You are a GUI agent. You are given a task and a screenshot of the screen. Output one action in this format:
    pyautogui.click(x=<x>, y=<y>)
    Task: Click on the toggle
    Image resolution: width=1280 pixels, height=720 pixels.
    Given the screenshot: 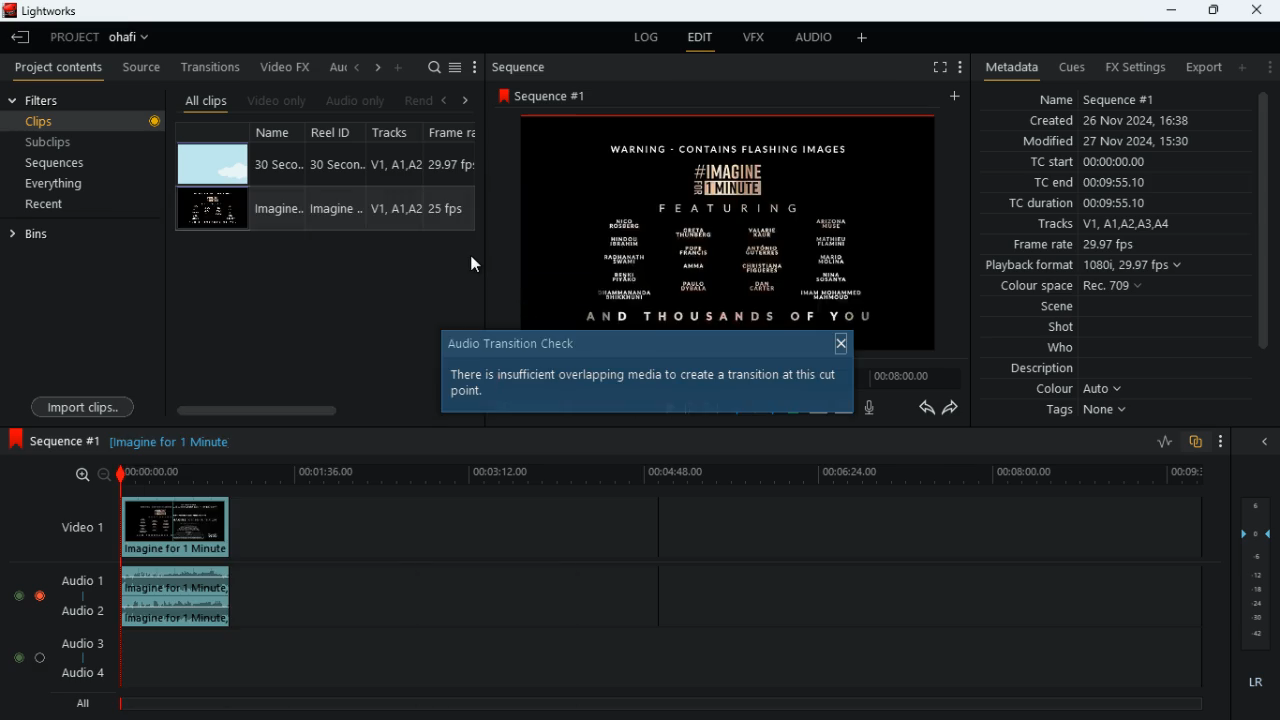 What is the action you would take?
    pyautogui.click(x=41, y=657)
    